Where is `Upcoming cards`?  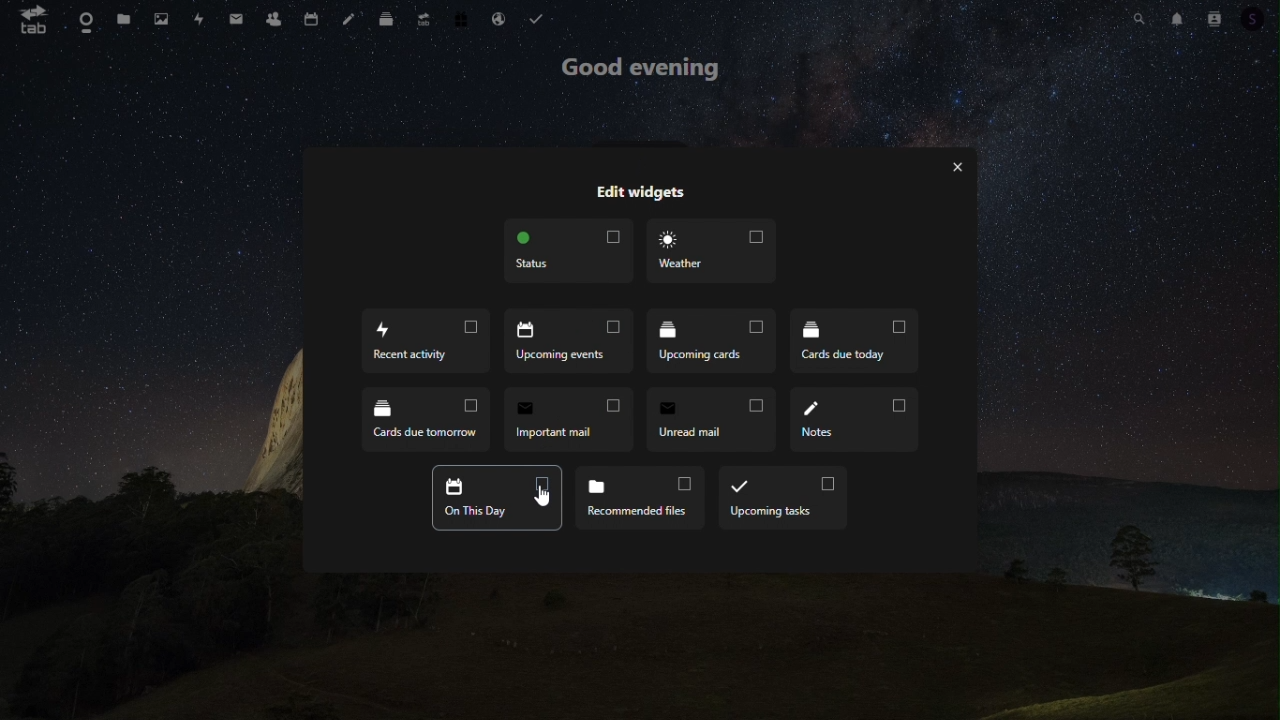 Upcoming cards is located at coordinates (710, 340).